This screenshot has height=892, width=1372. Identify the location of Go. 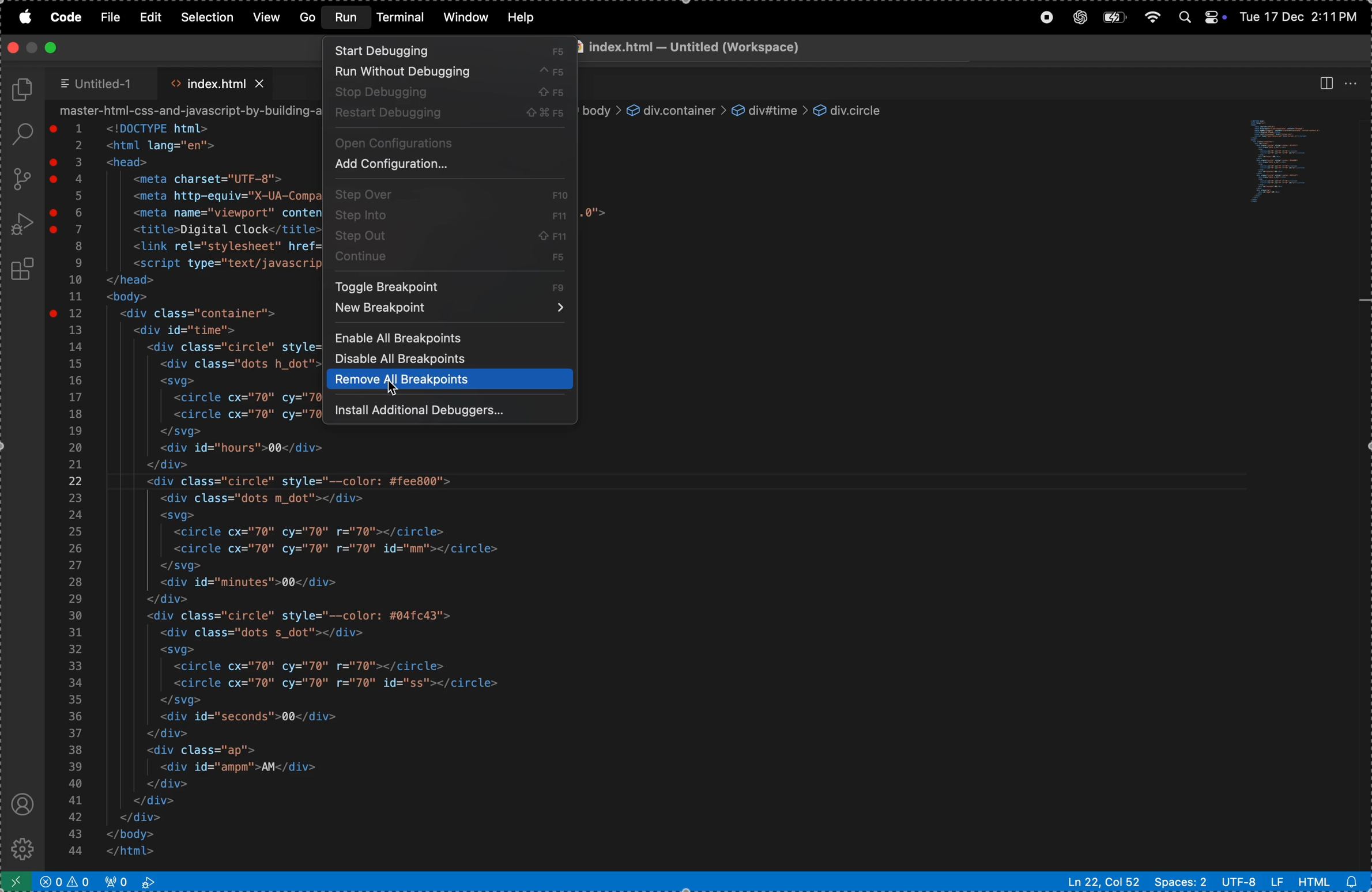
(308, 18).